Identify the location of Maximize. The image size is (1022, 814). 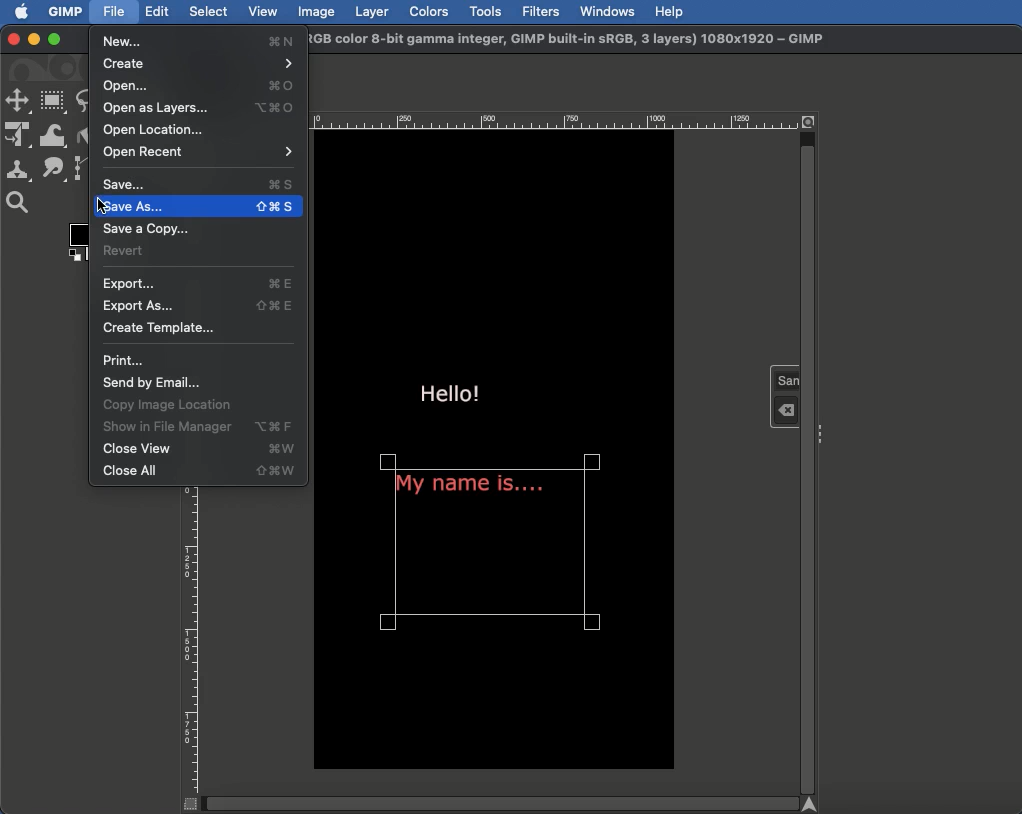
(56, 41).